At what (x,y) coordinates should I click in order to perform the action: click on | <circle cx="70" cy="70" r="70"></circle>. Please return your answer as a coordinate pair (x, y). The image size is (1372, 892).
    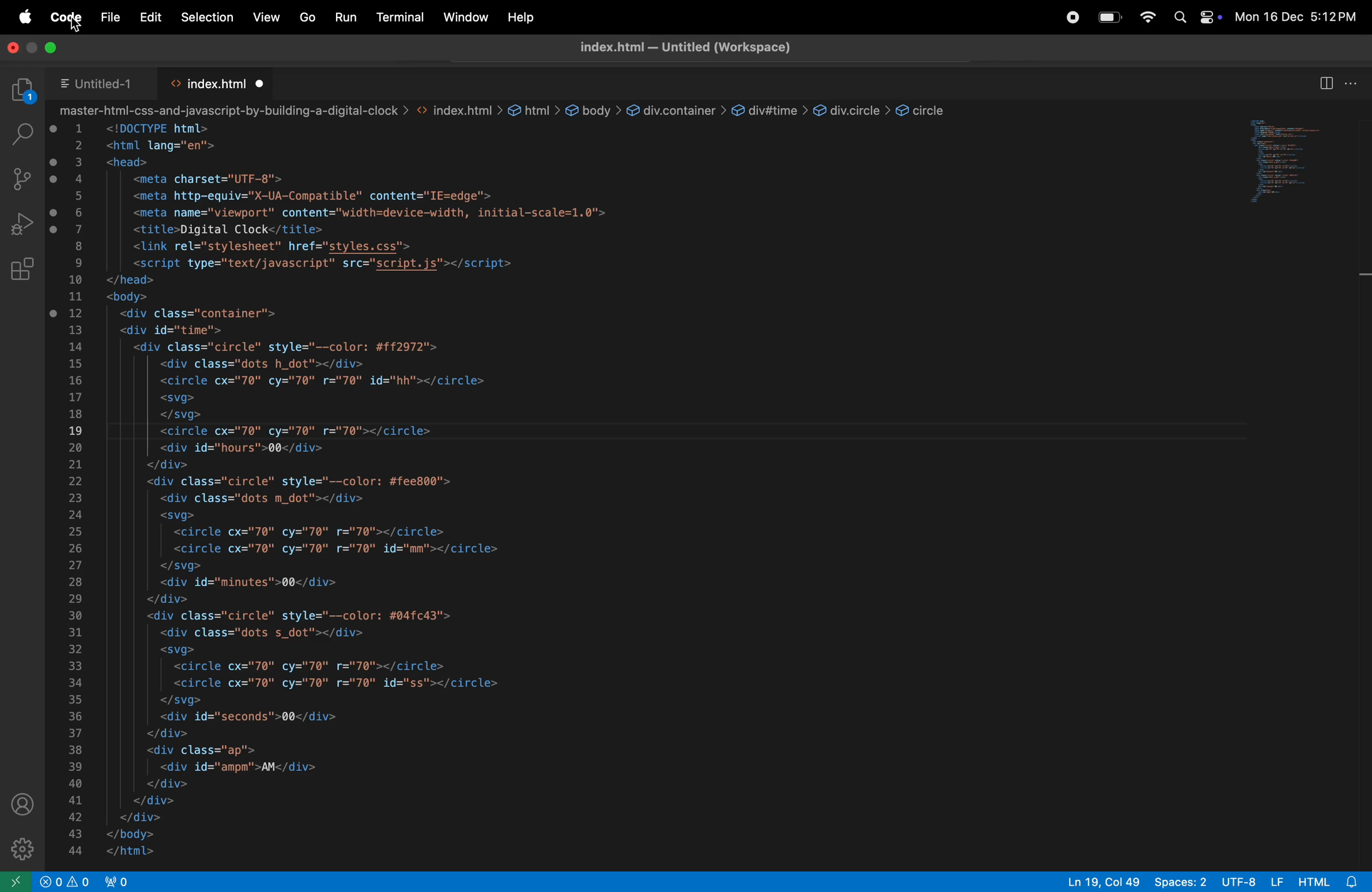
    Looking at the image, I should click on (296, 430).